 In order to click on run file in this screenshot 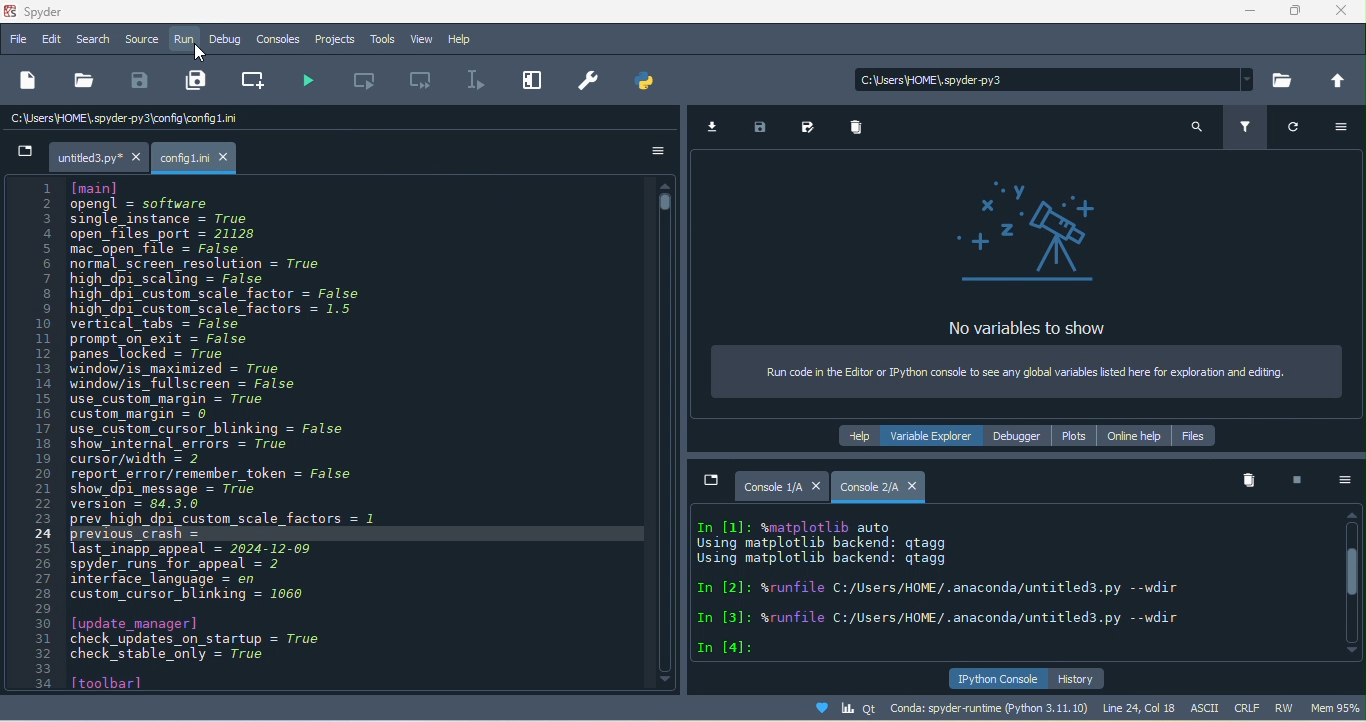, I will do `click(303, 82)`.